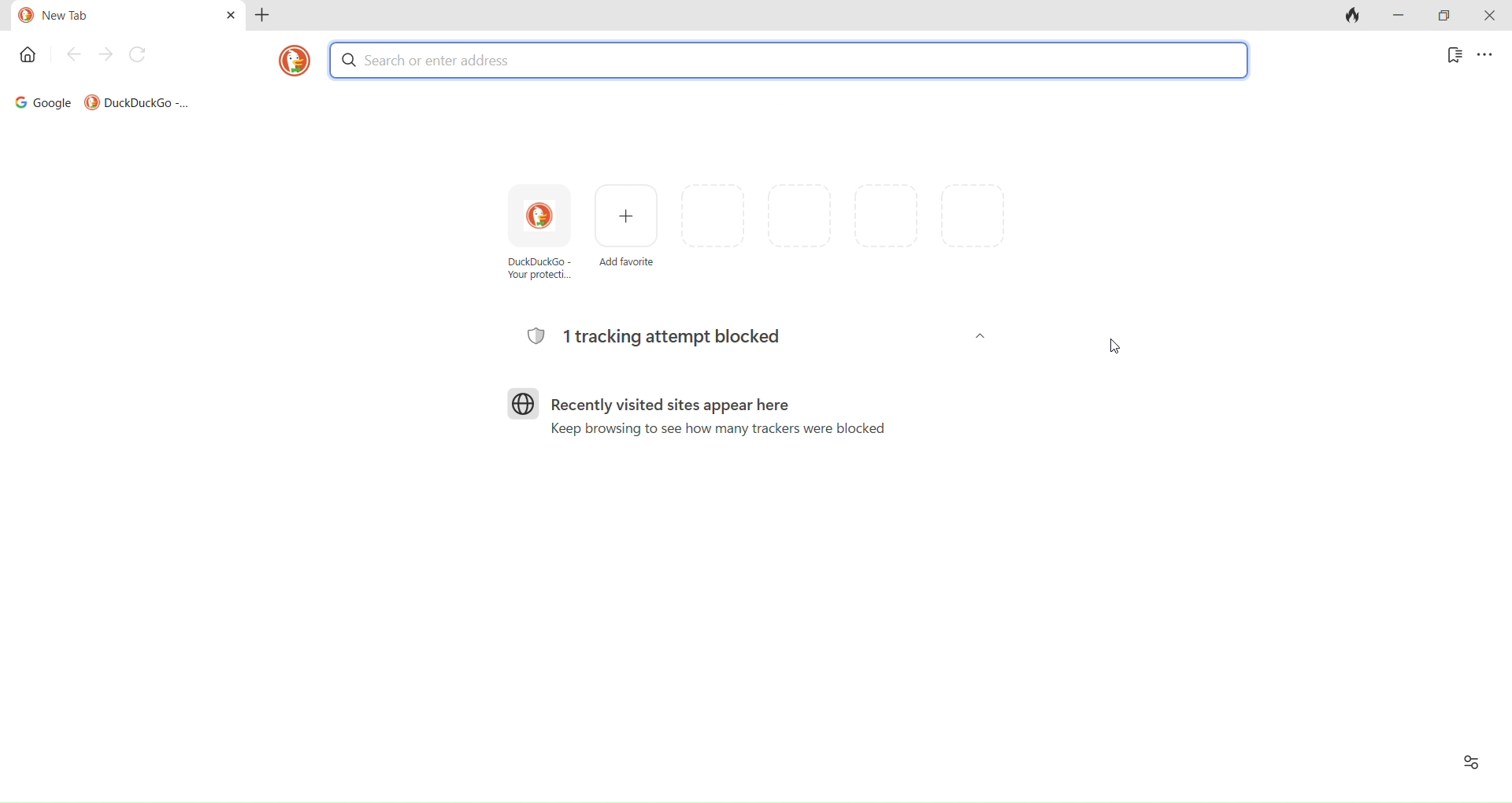 The width and height of the screenshot is (1512, 803). What do you see at coordinates (226, 18) in the screenshot?
I see `close tab` at bounding box center [226, 18].